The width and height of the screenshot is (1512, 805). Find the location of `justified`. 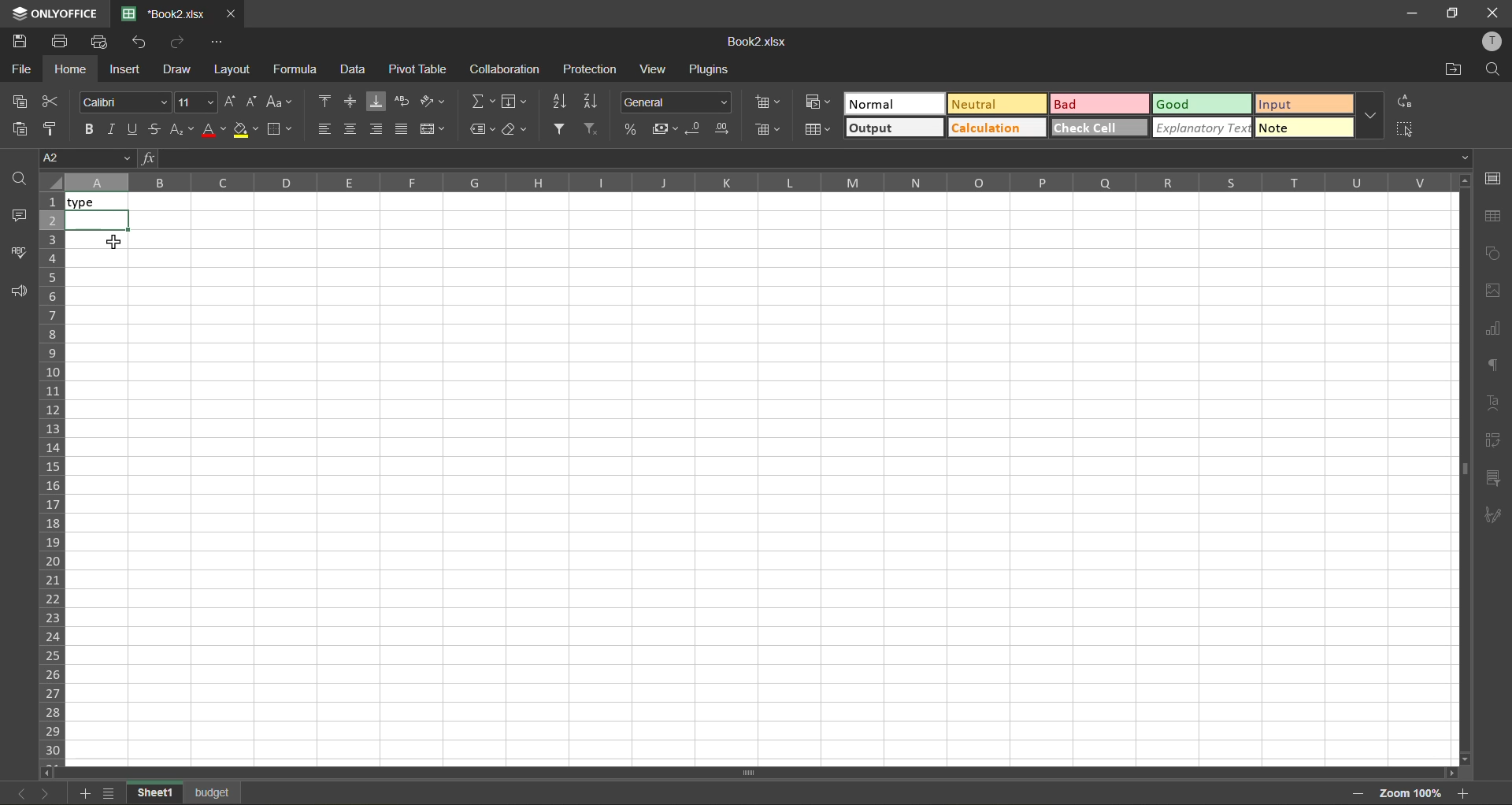

justified is located at coordinates (402, 127).